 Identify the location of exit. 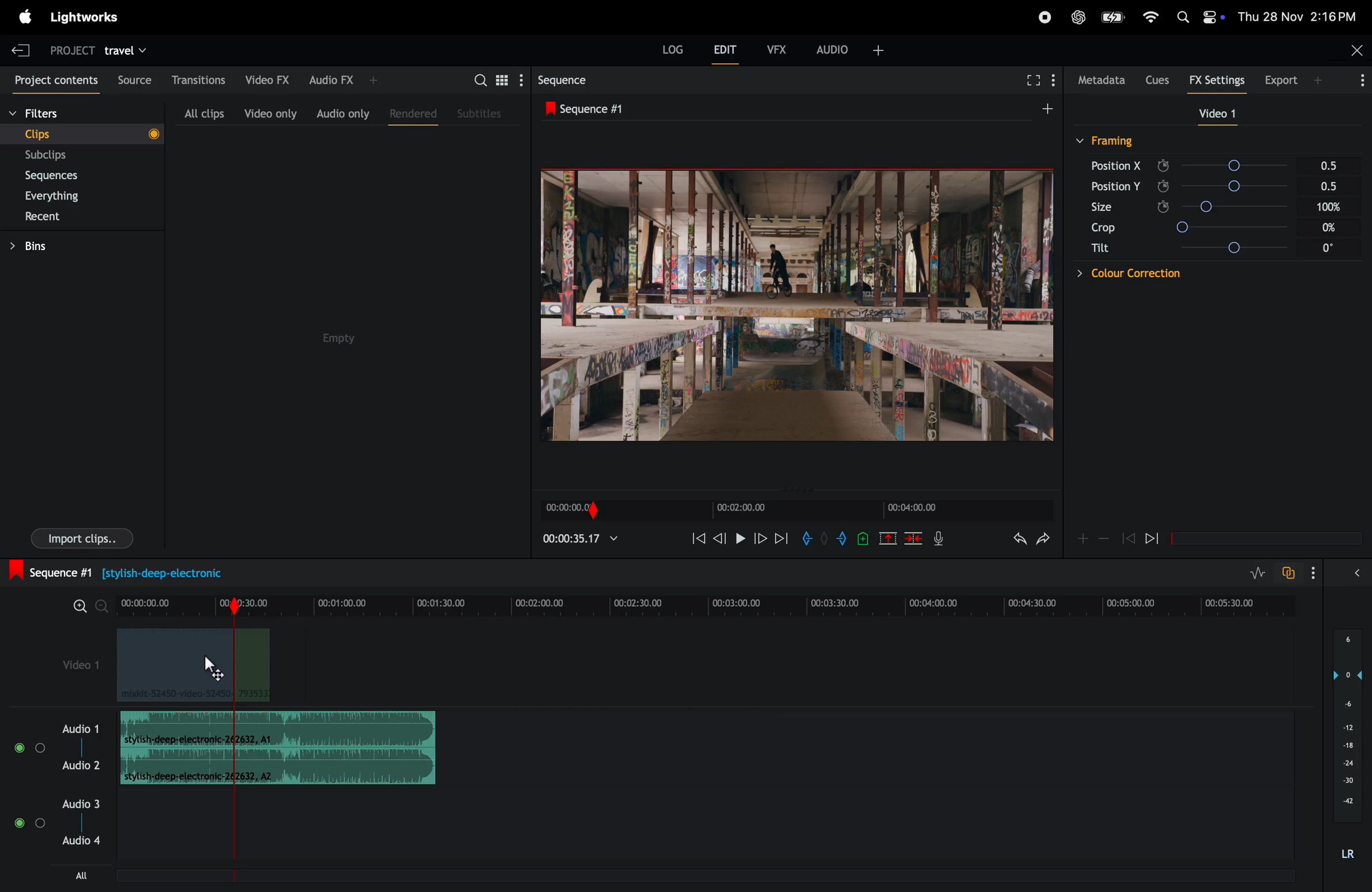
(17, 49).